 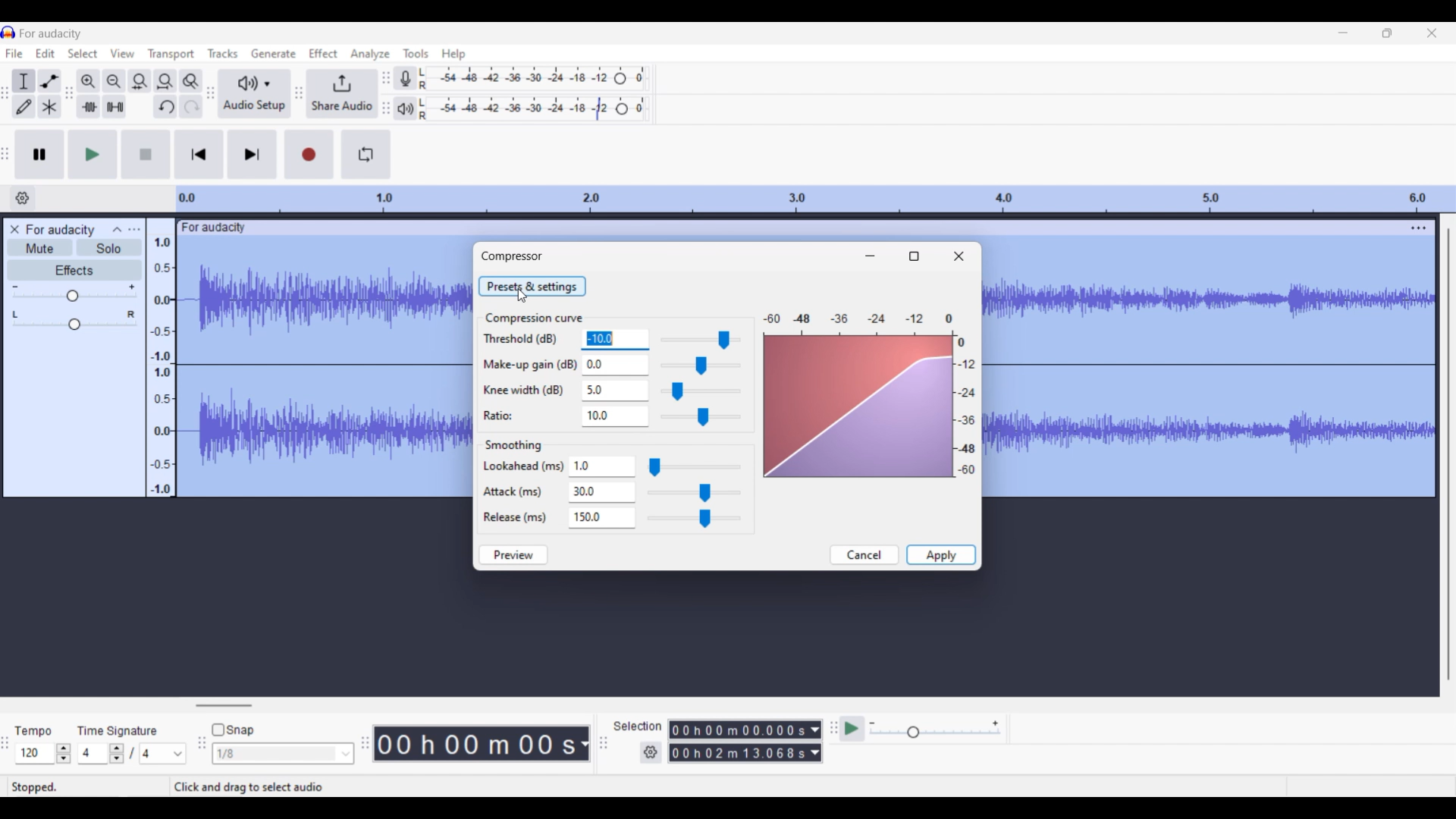 What do you see at coordinates (140, 81) in the screenshot?
I see `Fit selection to width` at bounding box center [140, 81].